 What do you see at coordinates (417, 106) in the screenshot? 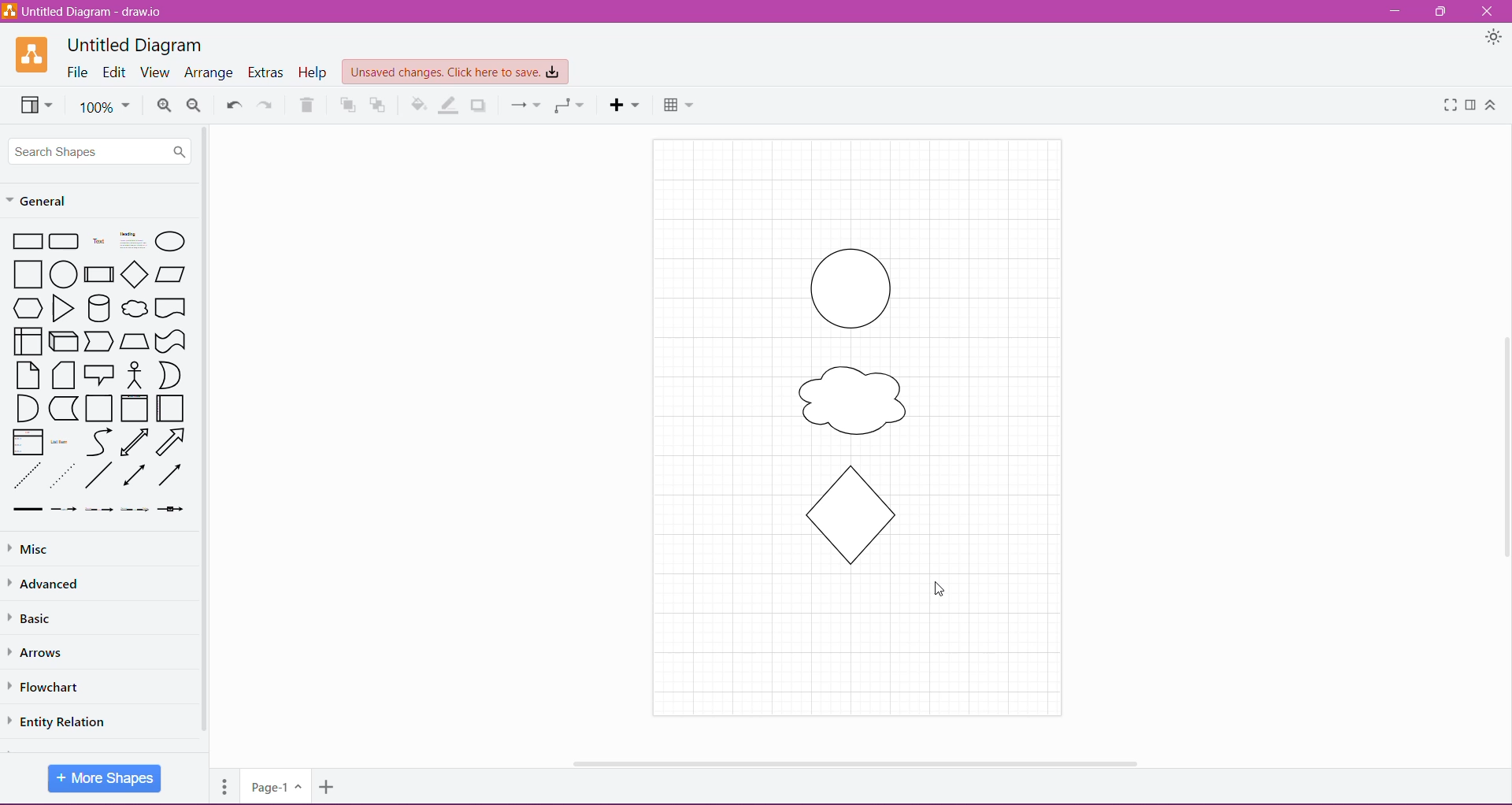
I see `Fill Color` at bounding box center [417, 106].